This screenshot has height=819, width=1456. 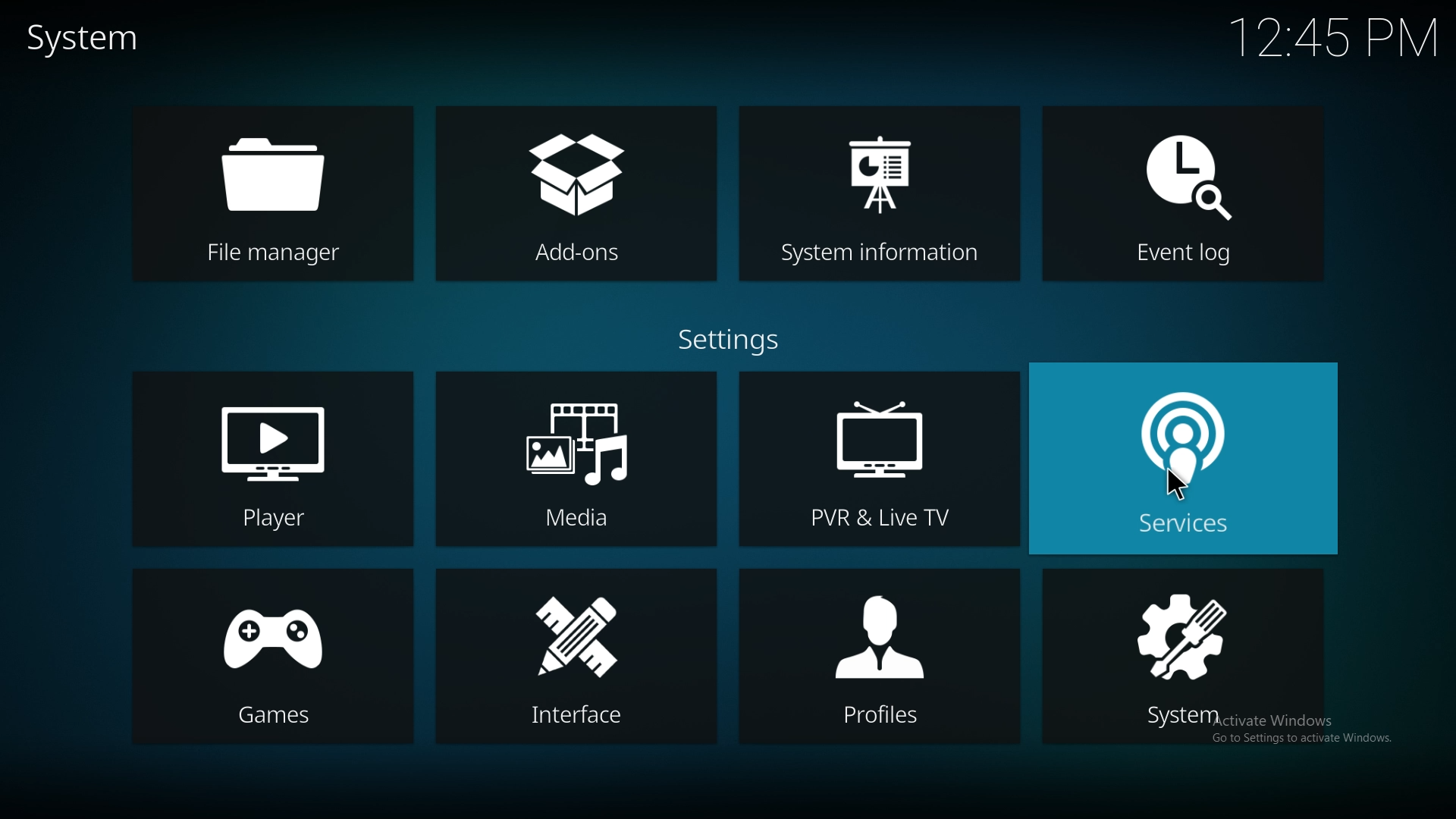 What do you see at coordinates (271, 657) in the screenshot?
I see `games` at bounding box center [271, 657].